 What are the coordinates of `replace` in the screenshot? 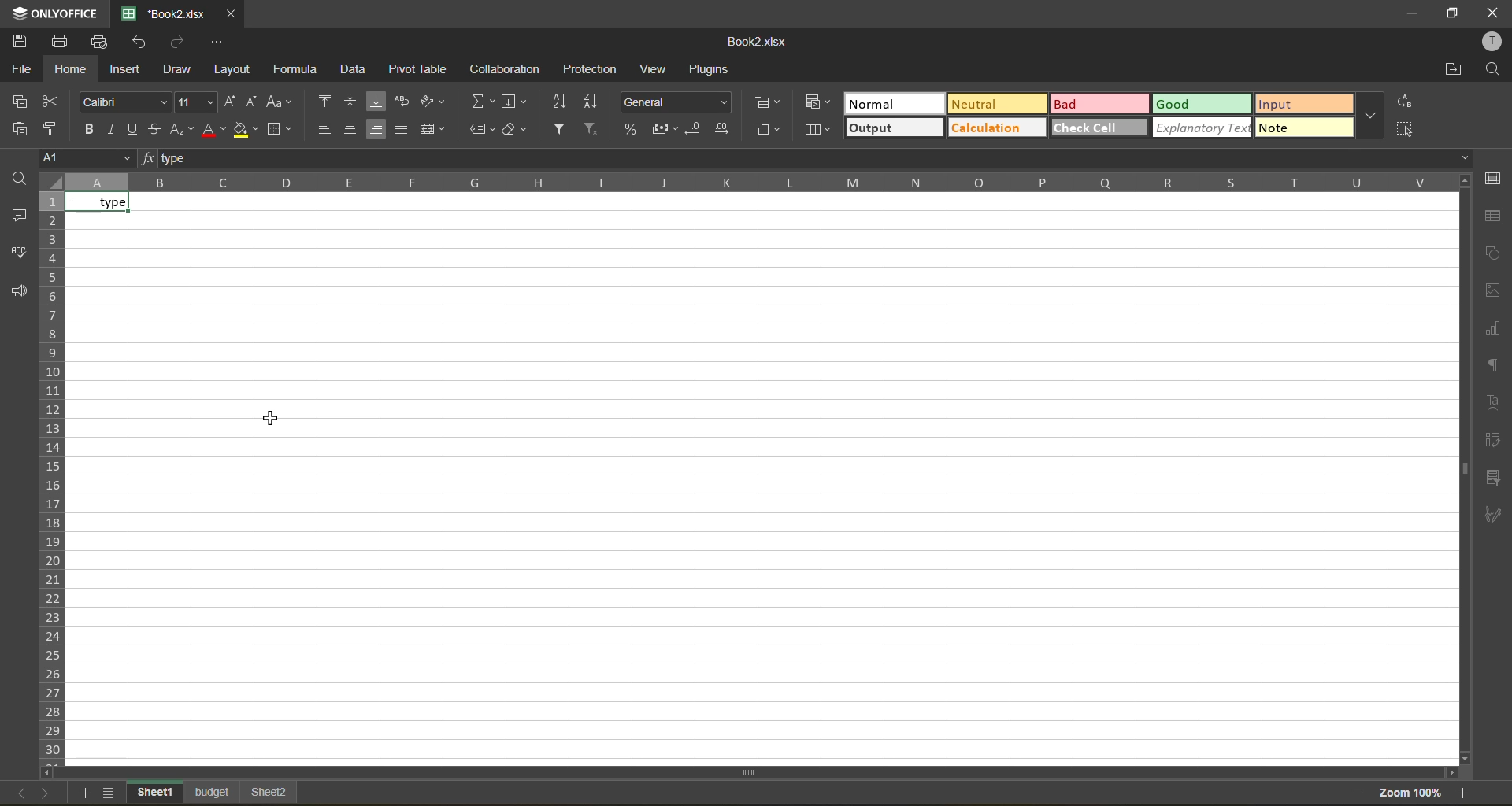 It's located at (1403, 102).